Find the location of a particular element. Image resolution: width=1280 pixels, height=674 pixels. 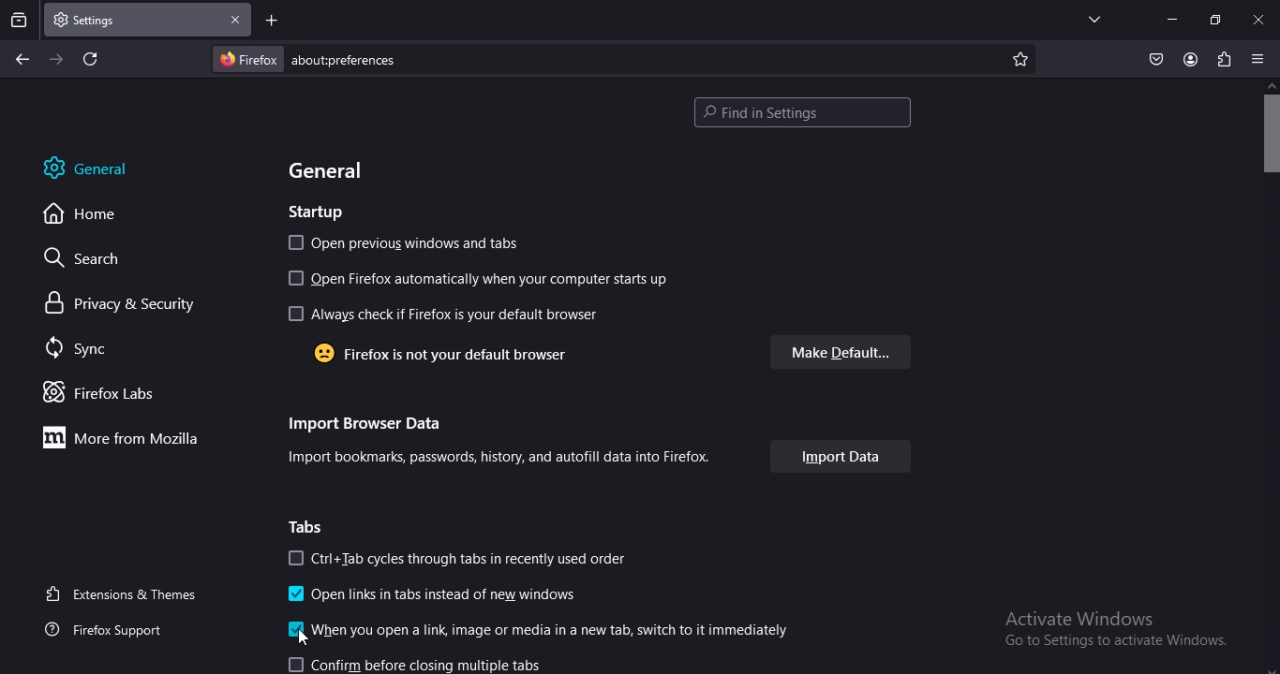

go forward one page is located at coordinates (58, 60).